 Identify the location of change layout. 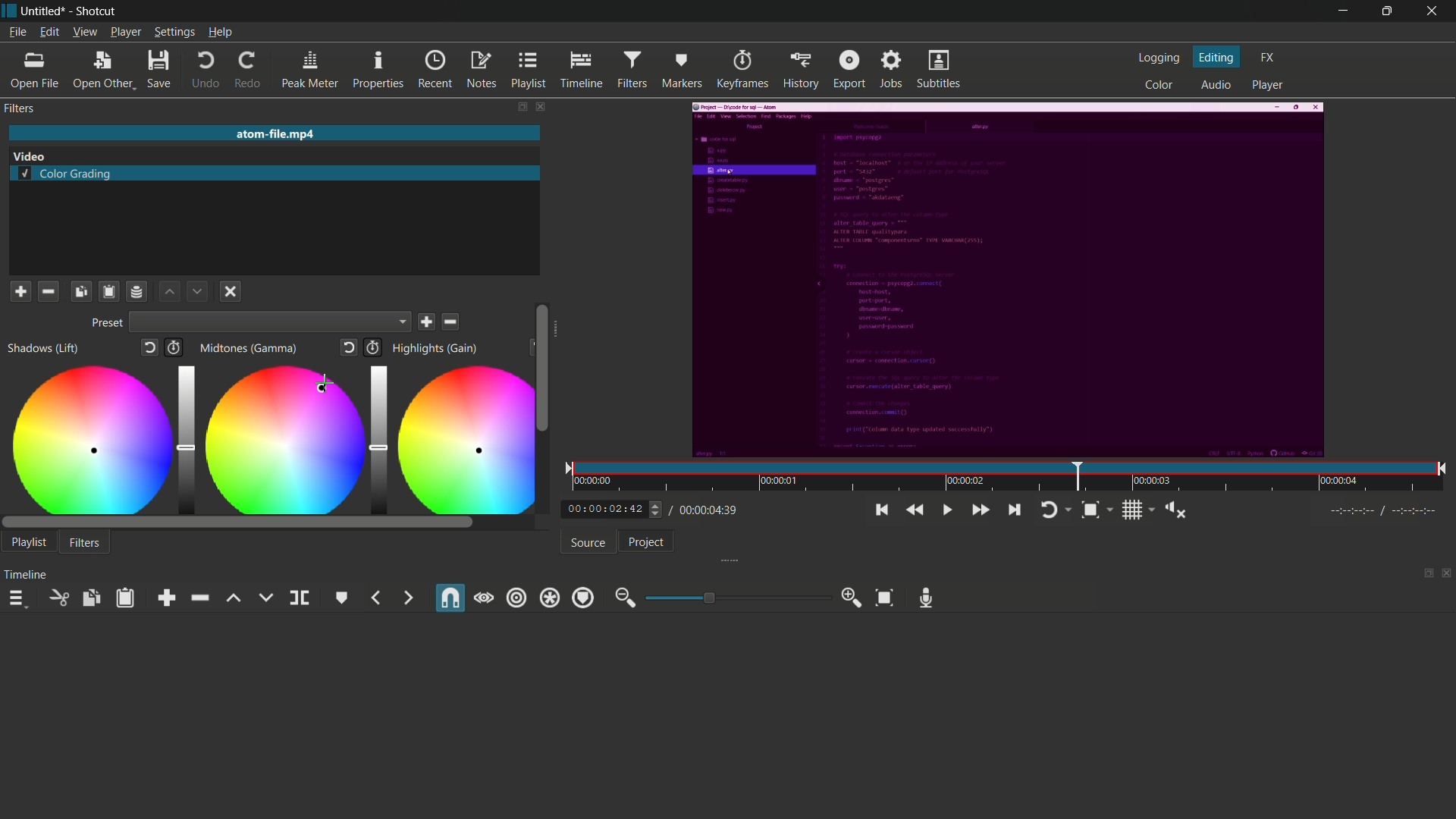
(517, 106).